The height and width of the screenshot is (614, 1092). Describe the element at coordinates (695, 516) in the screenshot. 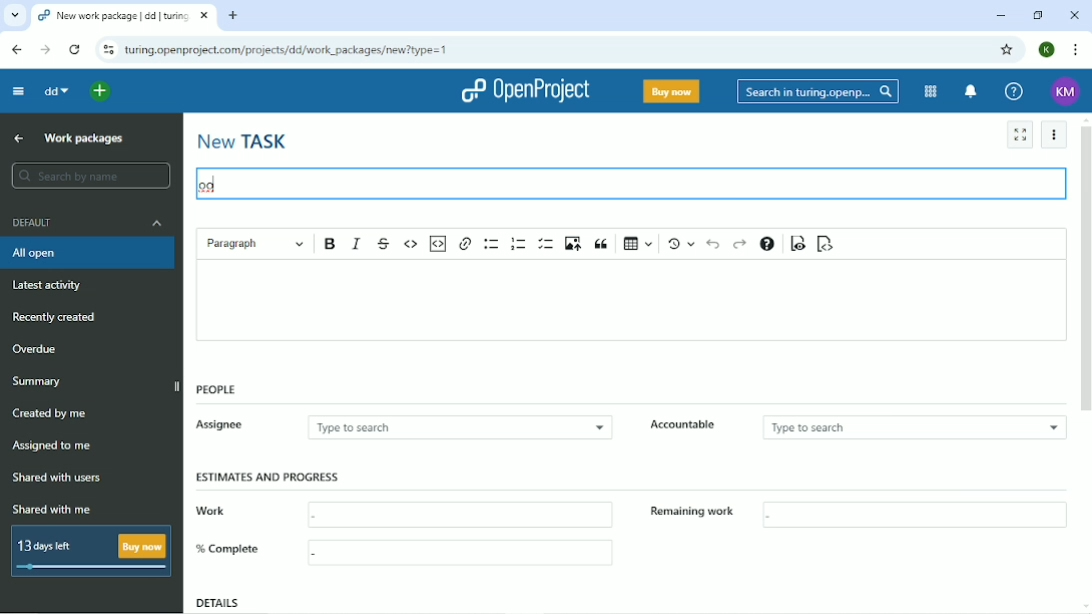

I see `Remaining work` at that location.